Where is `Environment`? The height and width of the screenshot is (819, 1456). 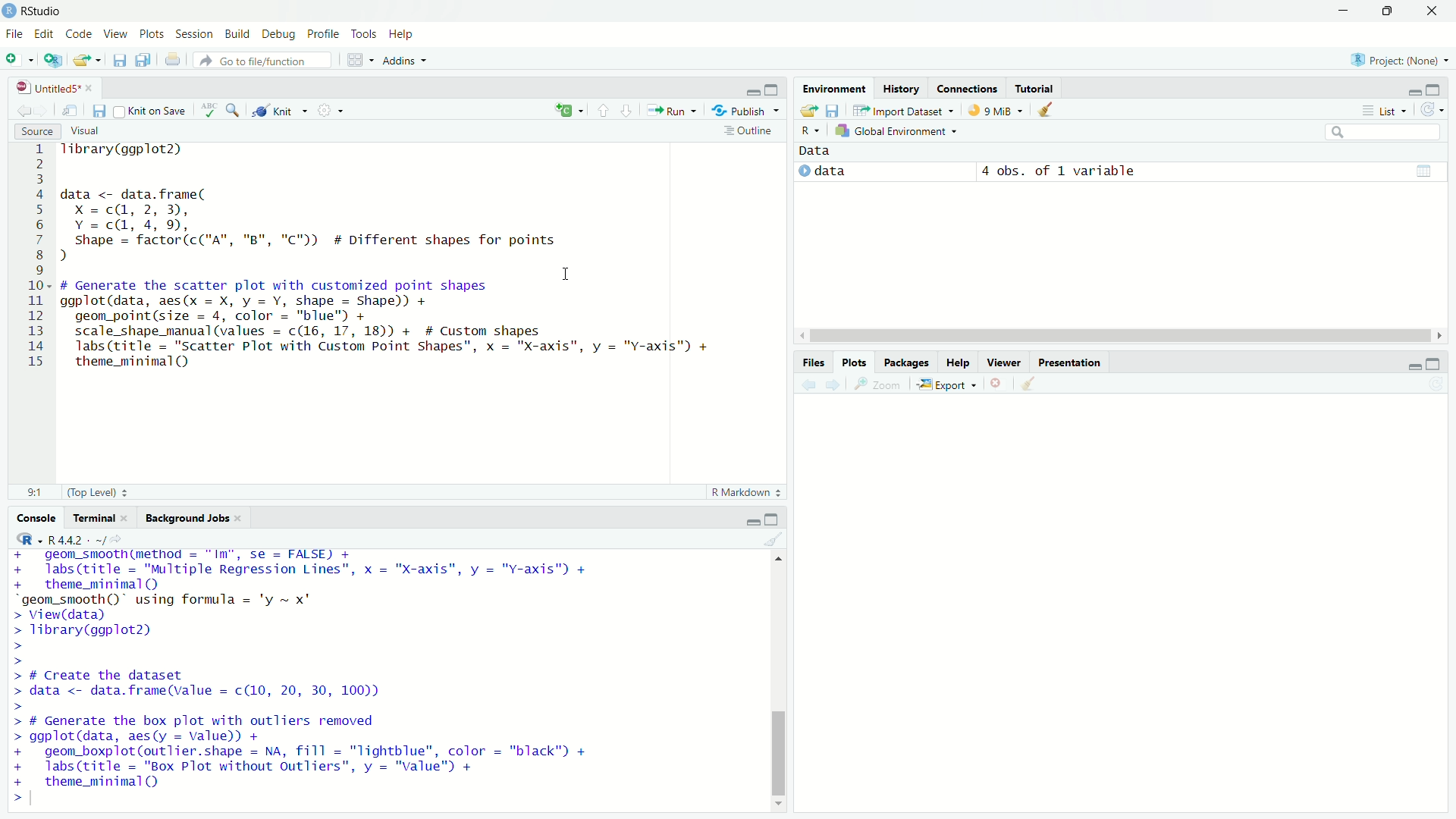
Environment is located at coordinates (834, 89).